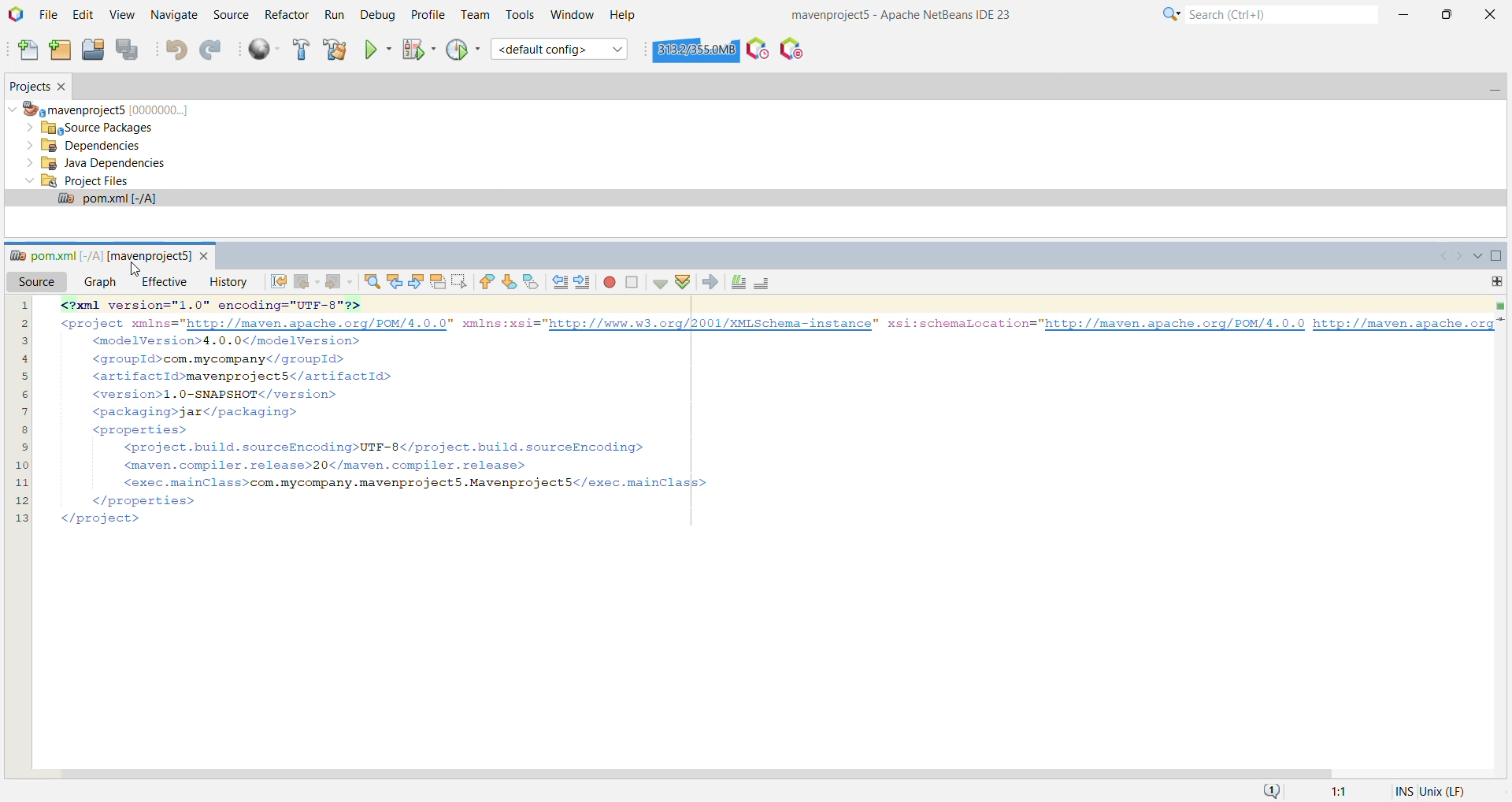 The height and width of the screenshot is (802, 1512). I want to click on Forward, so click(339, 282).